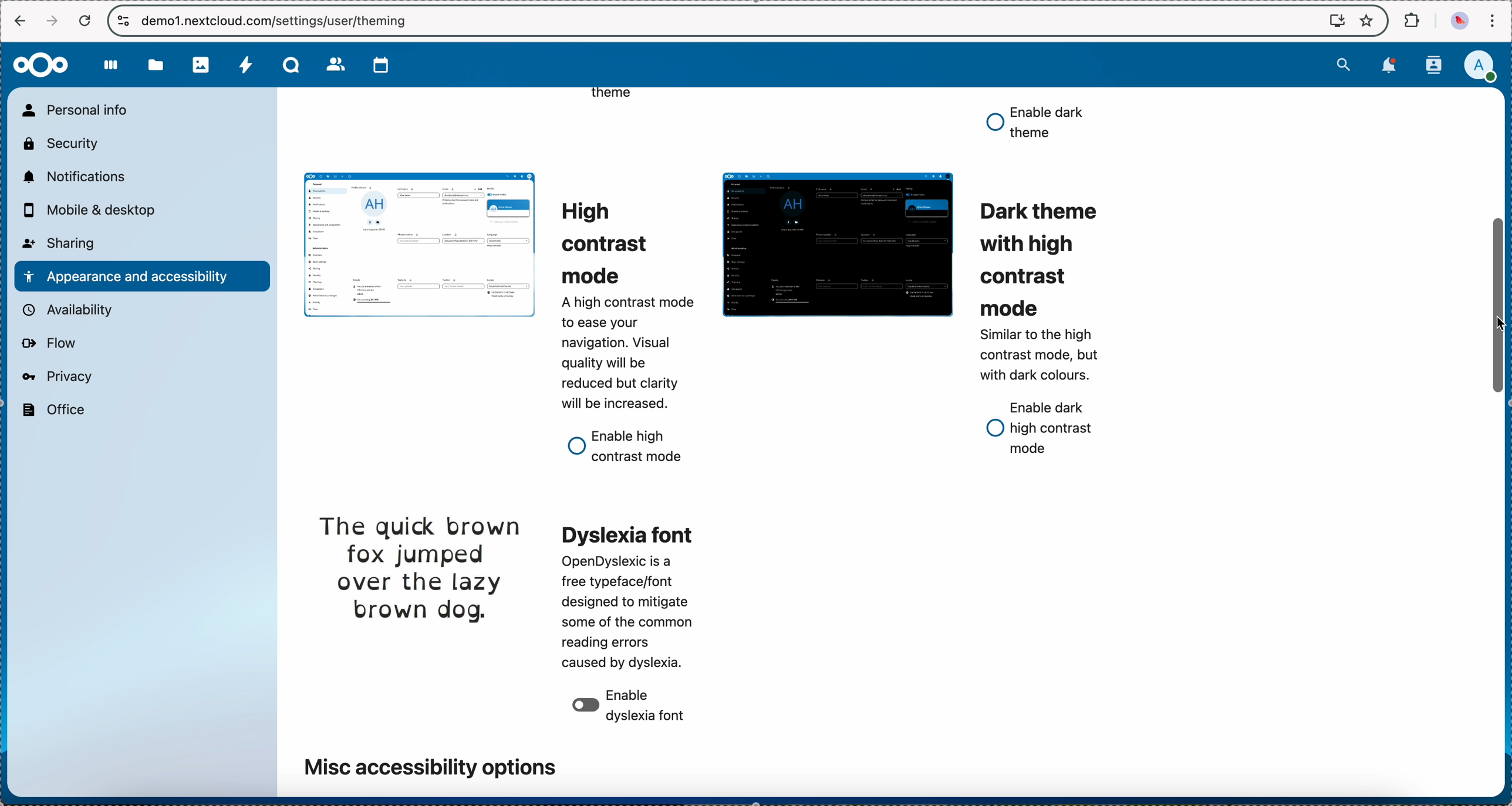  I want to click on click on user profile, so click(1479, 67).